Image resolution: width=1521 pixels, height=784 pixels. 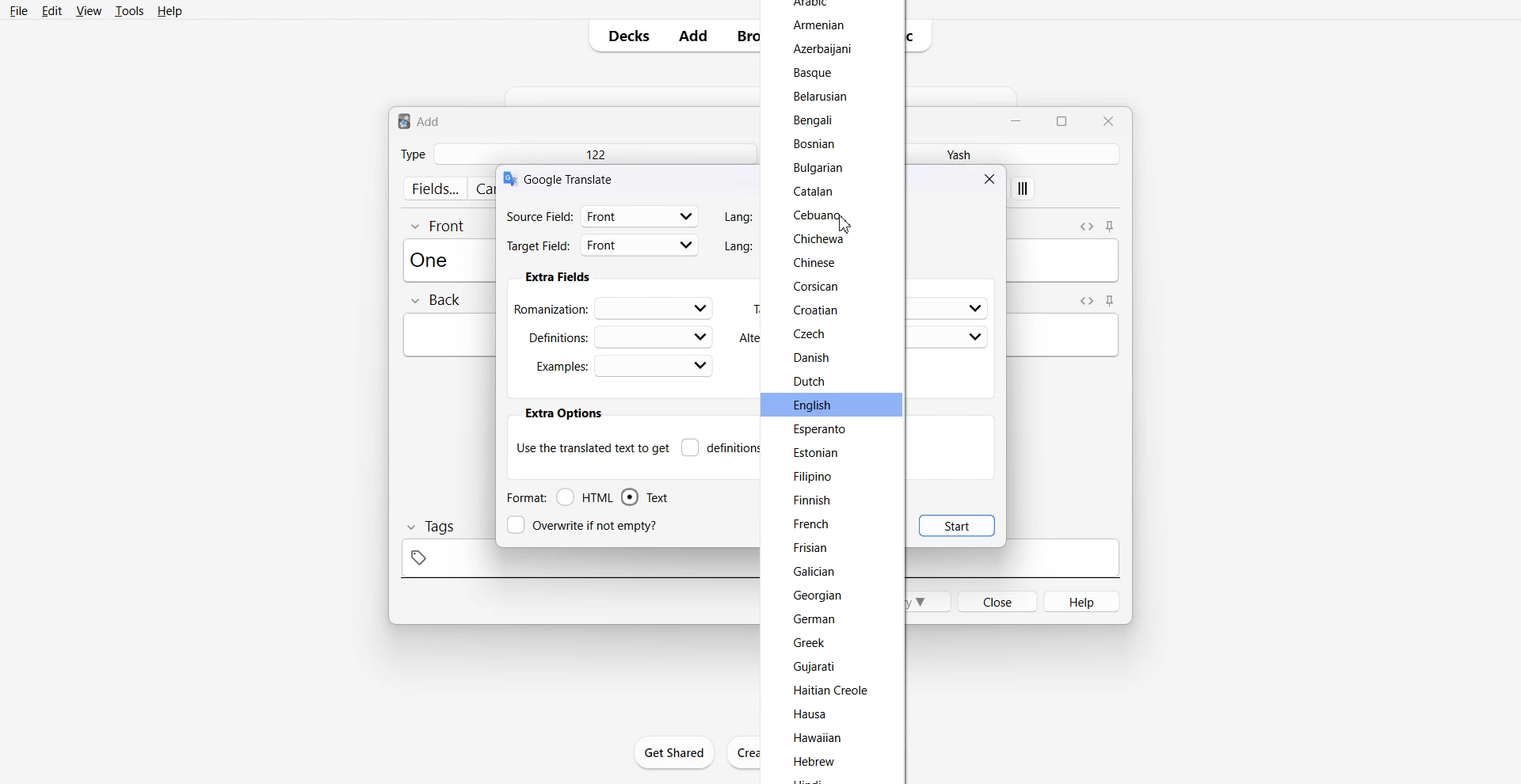 What do you see at coordinates (434, 259) in the screenshot?
I see `Text` at bounding box center [434, 259].